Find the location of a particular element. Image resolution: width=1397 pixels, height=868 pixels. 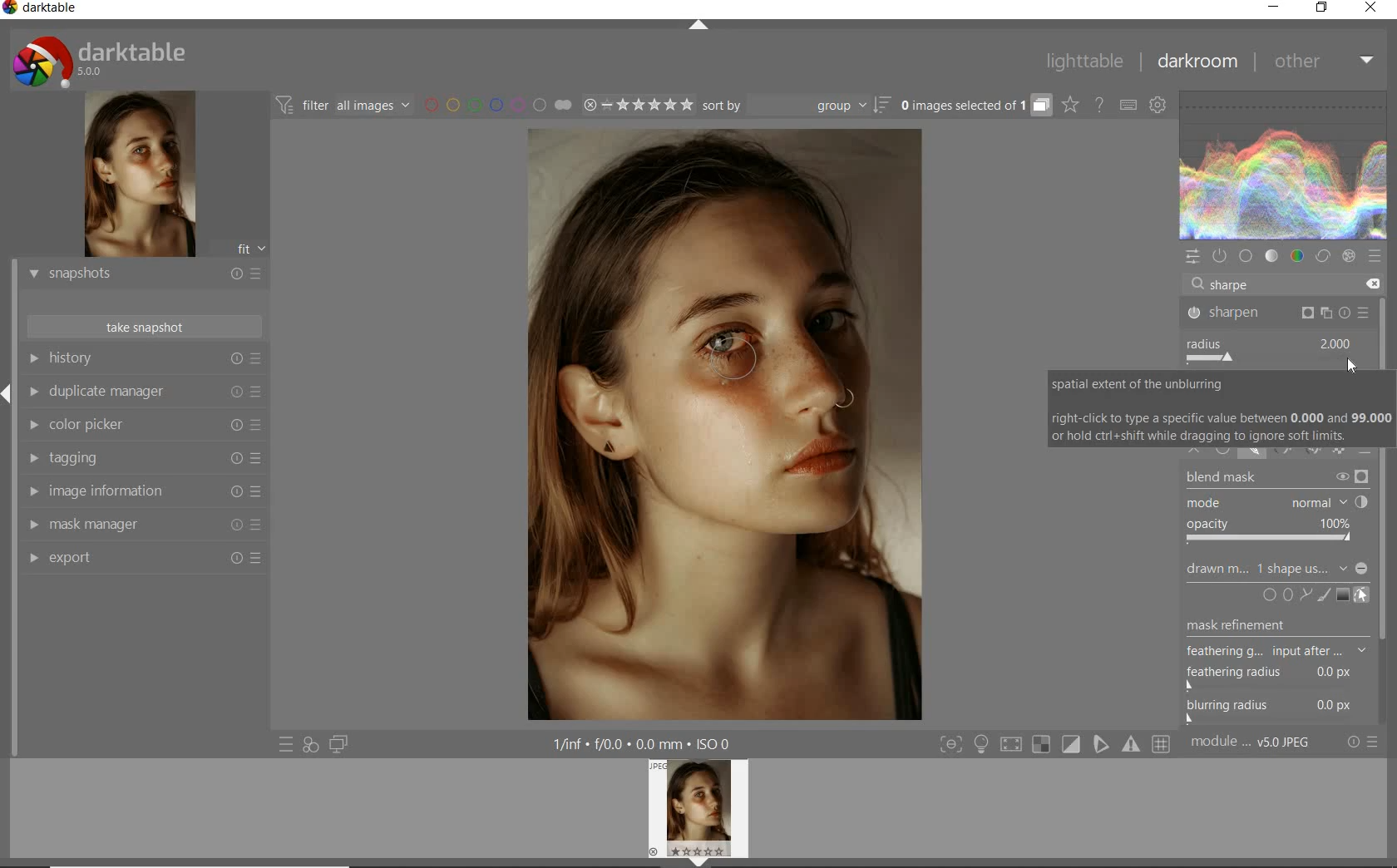

RADIUS is located at coordinates (1270, 350).